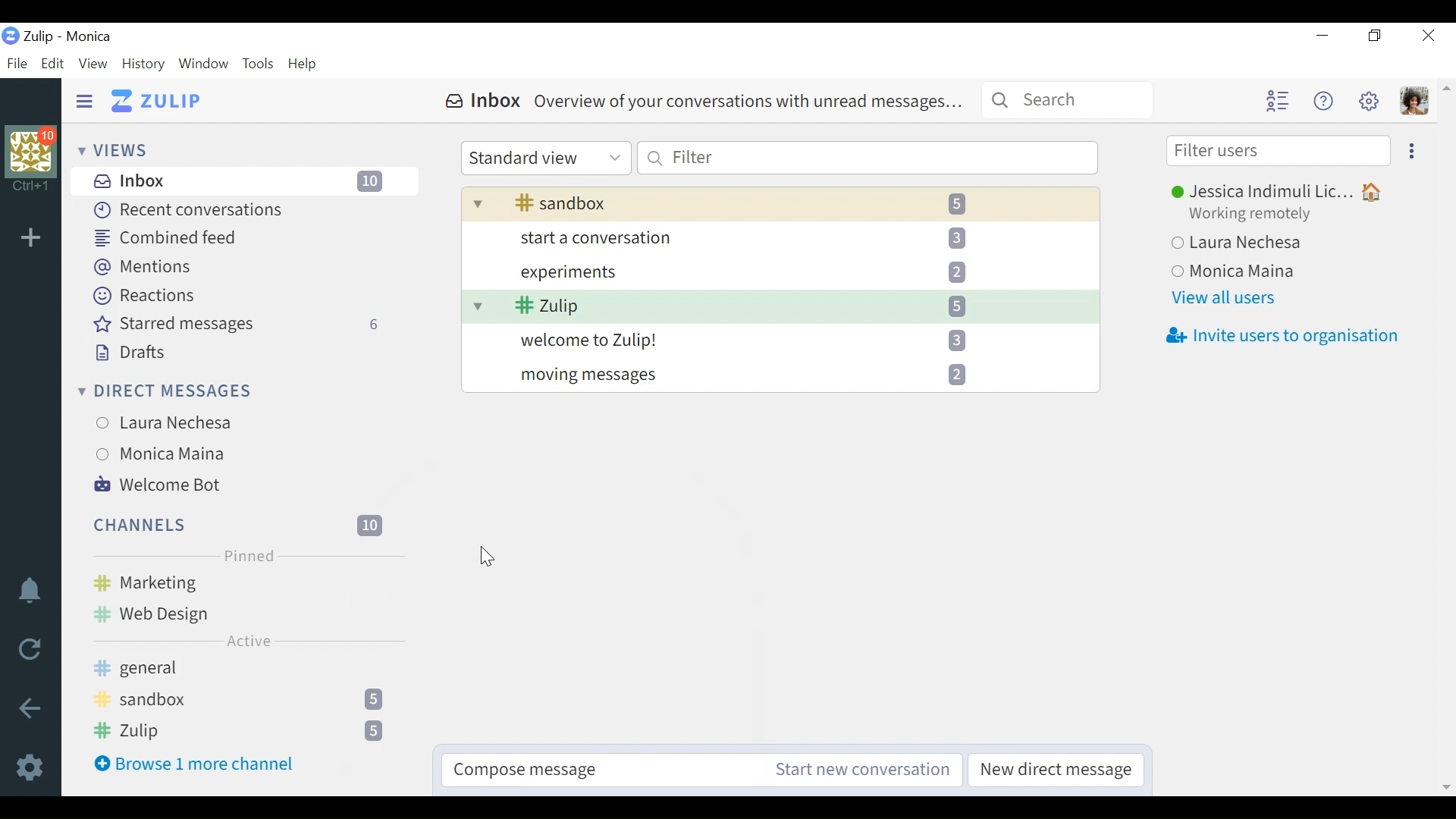  What do you see at coordinates (185, 210) in the screenshot?
I see `Recent Conversations` at bounding box center [185, 210].